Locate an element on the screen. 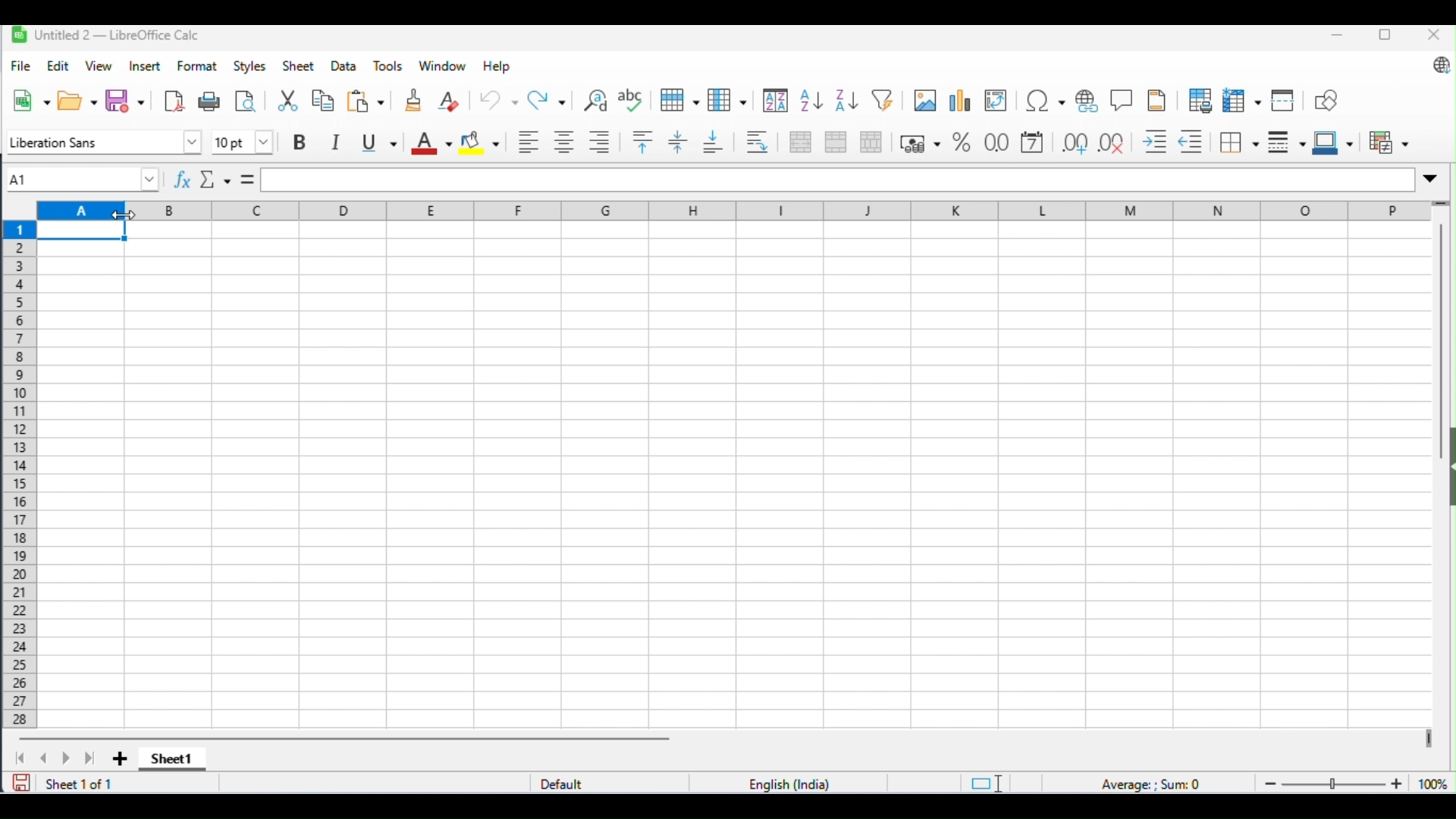 Image resolution: width=1456 pixels, height=819 pixels. sheet1 is located at coordinates (169, 761).